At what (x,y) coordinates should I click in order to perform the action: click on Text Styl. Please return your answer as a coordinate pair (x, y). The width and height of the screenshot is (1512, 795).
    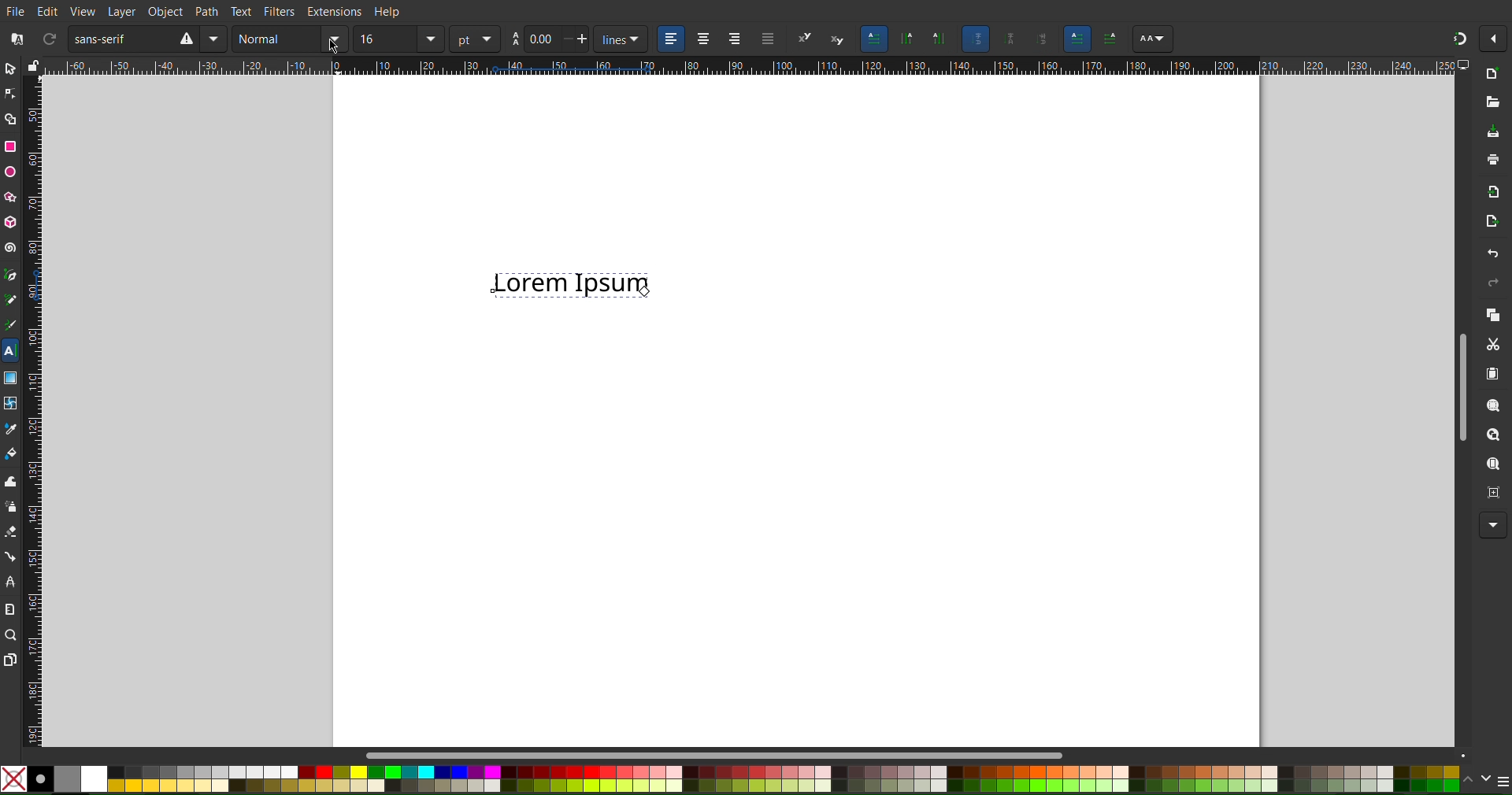
    Looking at the image, I should click on (289, 39).